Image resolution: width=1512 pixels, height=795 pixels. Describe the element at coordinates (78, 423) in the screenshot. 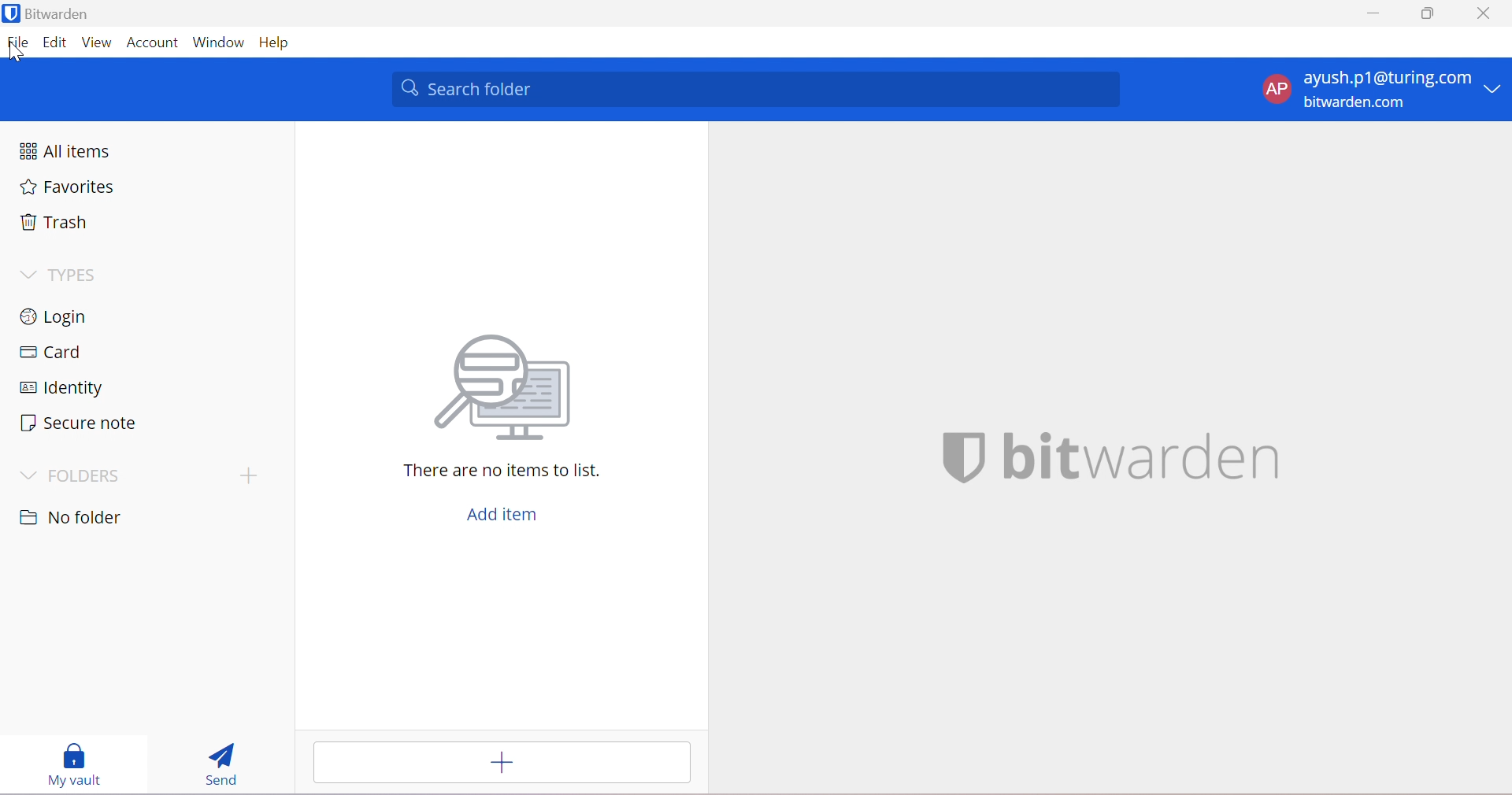

I see `Secure note` at that location.